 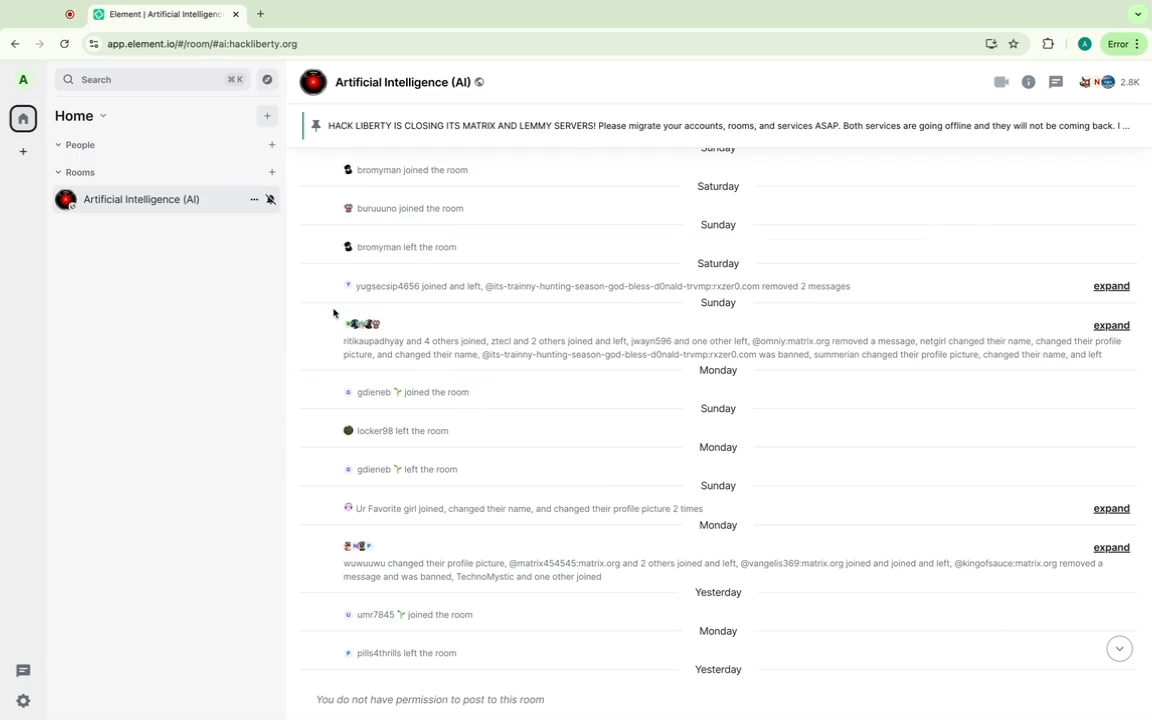 What do you see at coordinates (400, 81) in the screenshot?
I see `Group name` at bounding box center [400, 81].